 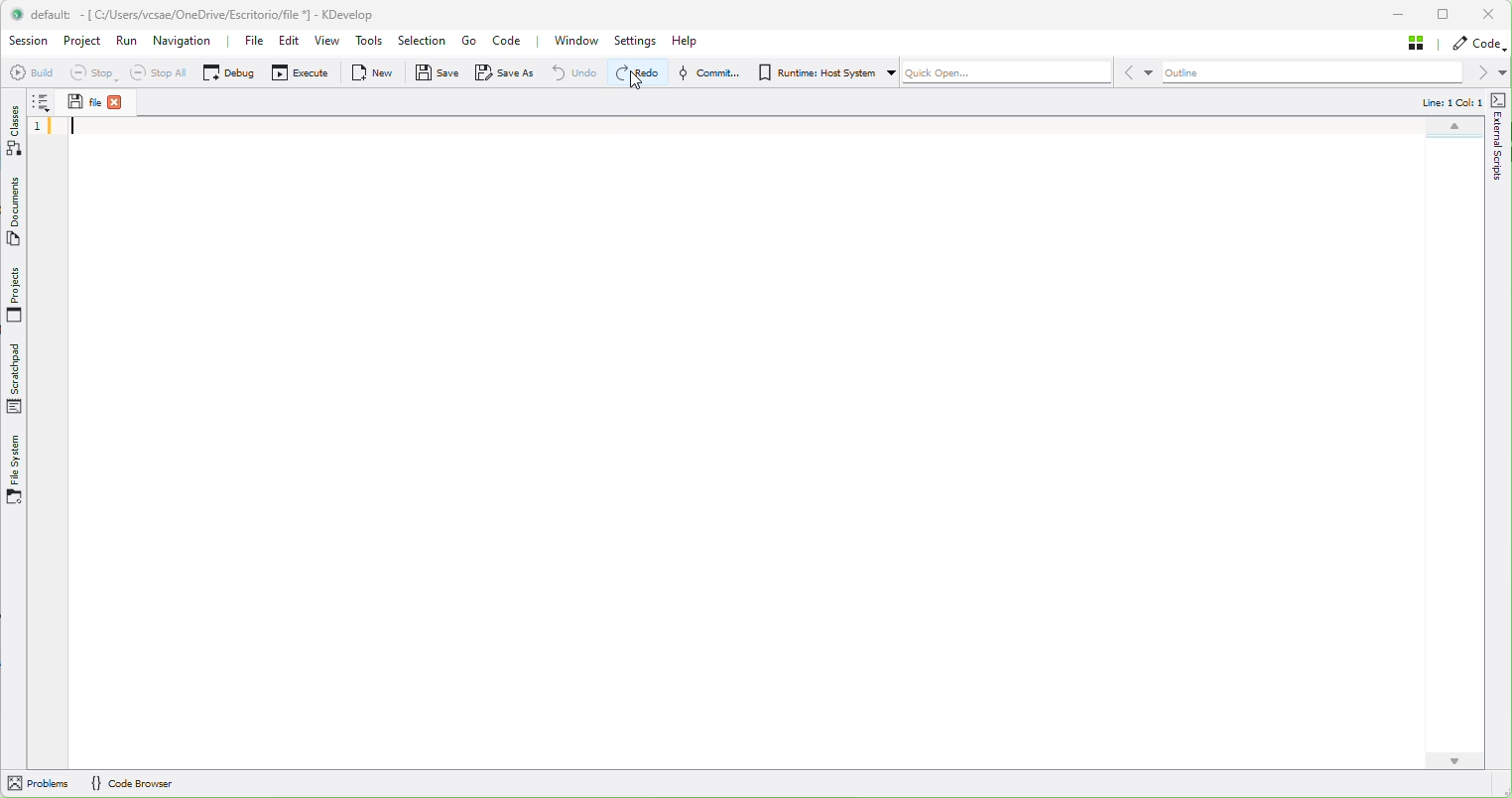 I want to click on Run, so click(x=123, y=41).